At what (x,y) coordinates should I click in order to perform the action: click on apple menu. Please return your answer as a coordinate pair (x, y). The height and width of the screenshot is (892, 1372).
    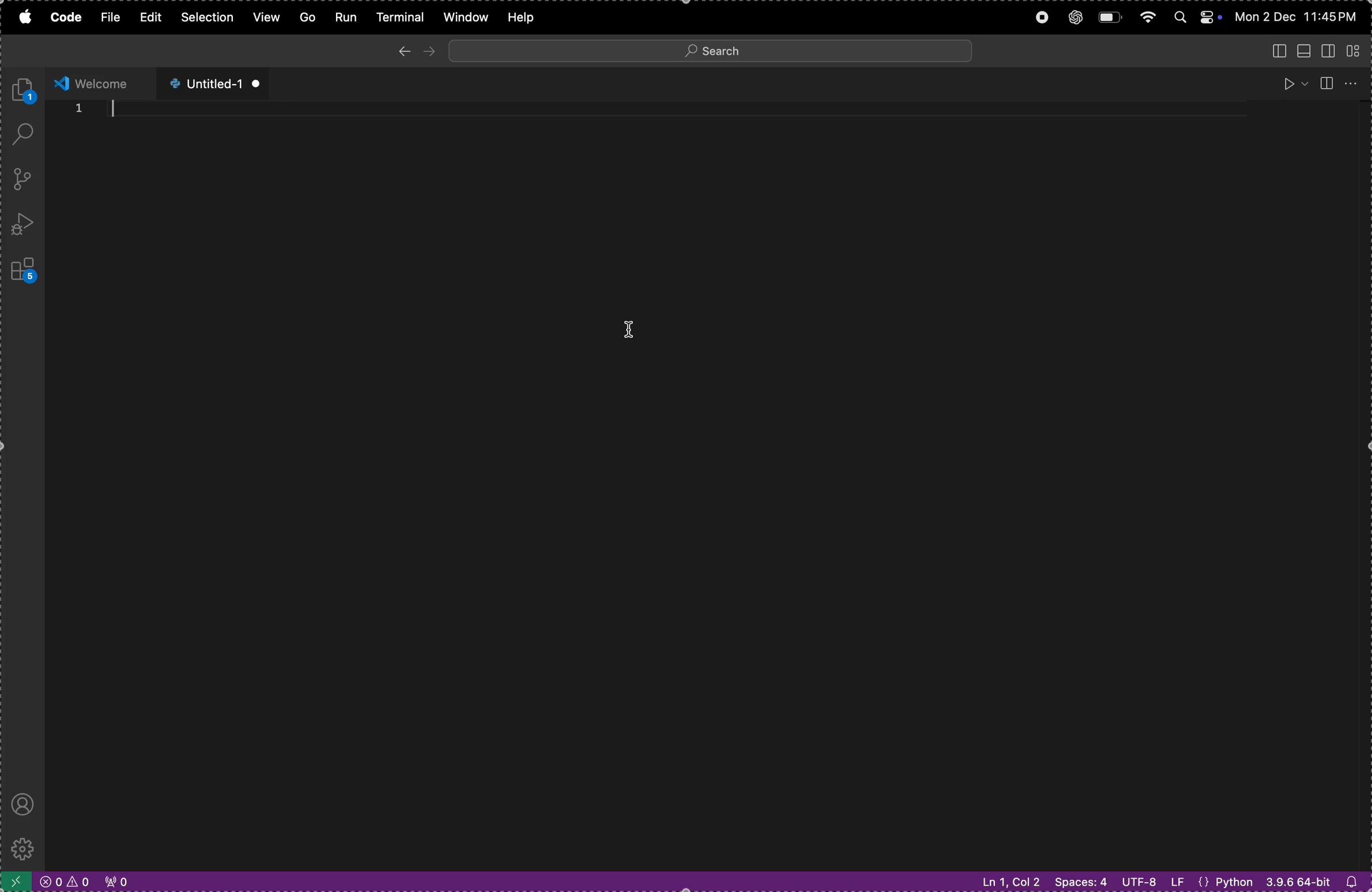
    Looking at the image, I should click on (22, 19).